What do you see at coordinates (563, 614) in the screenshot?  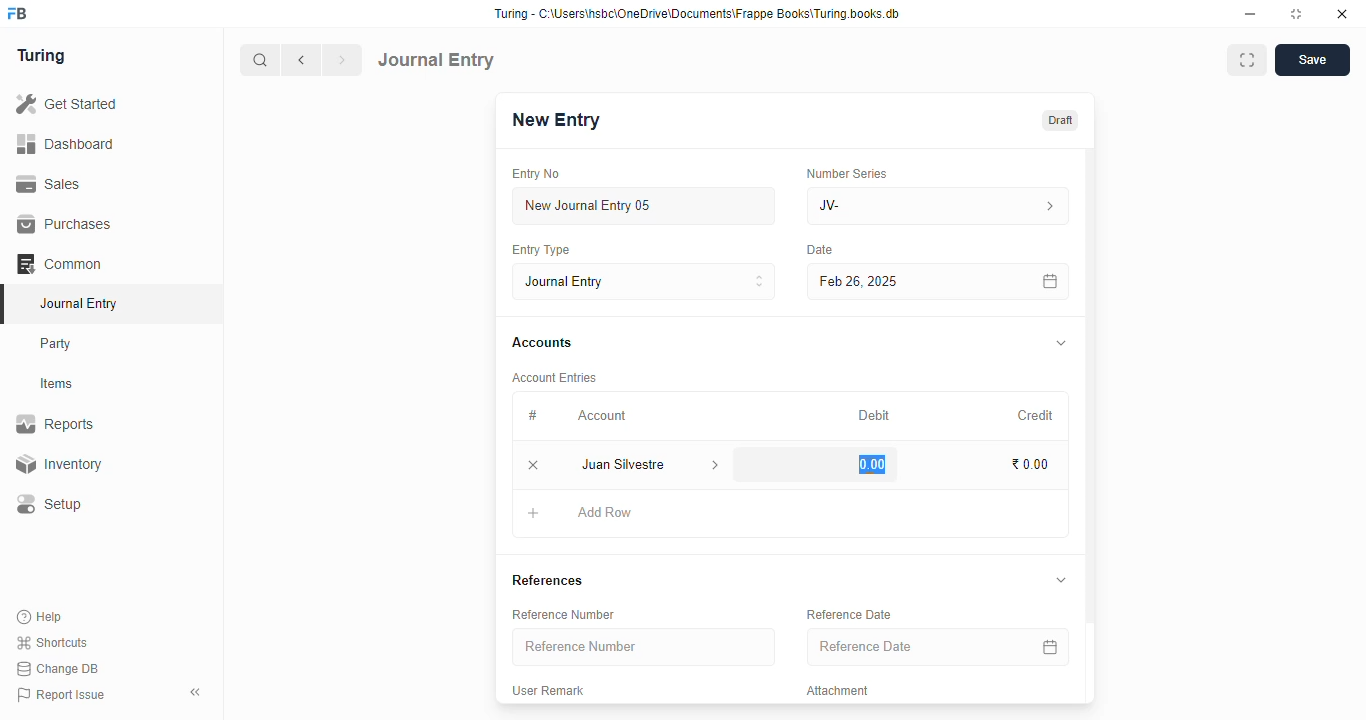 I see `reference number` at bounding box center [563, 614].